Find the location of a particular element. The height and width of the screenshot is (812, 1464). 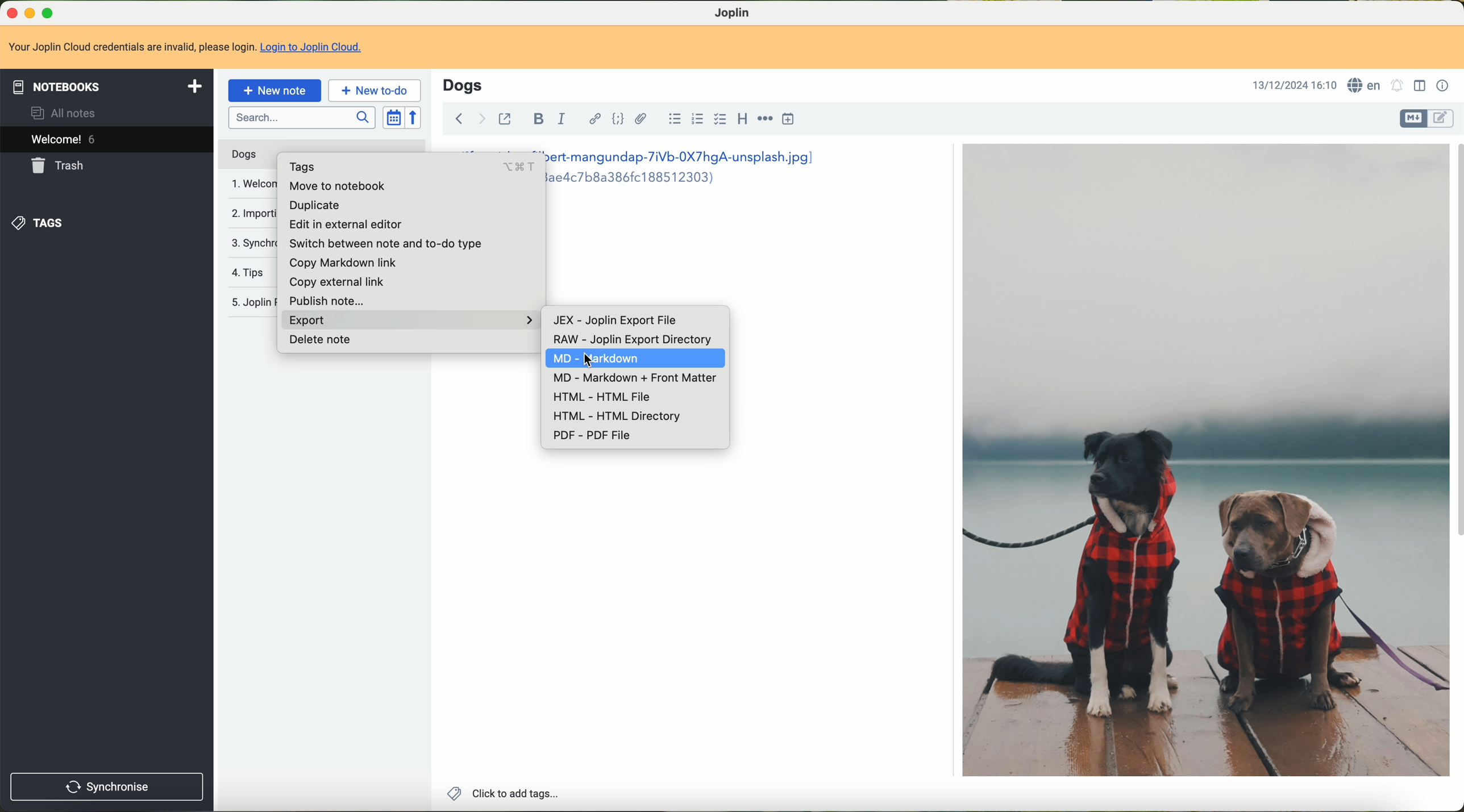

Your Joplin Cloud credentials are invalid, please login. Login to Joplin Cloud is located at coordinates (190, 48).